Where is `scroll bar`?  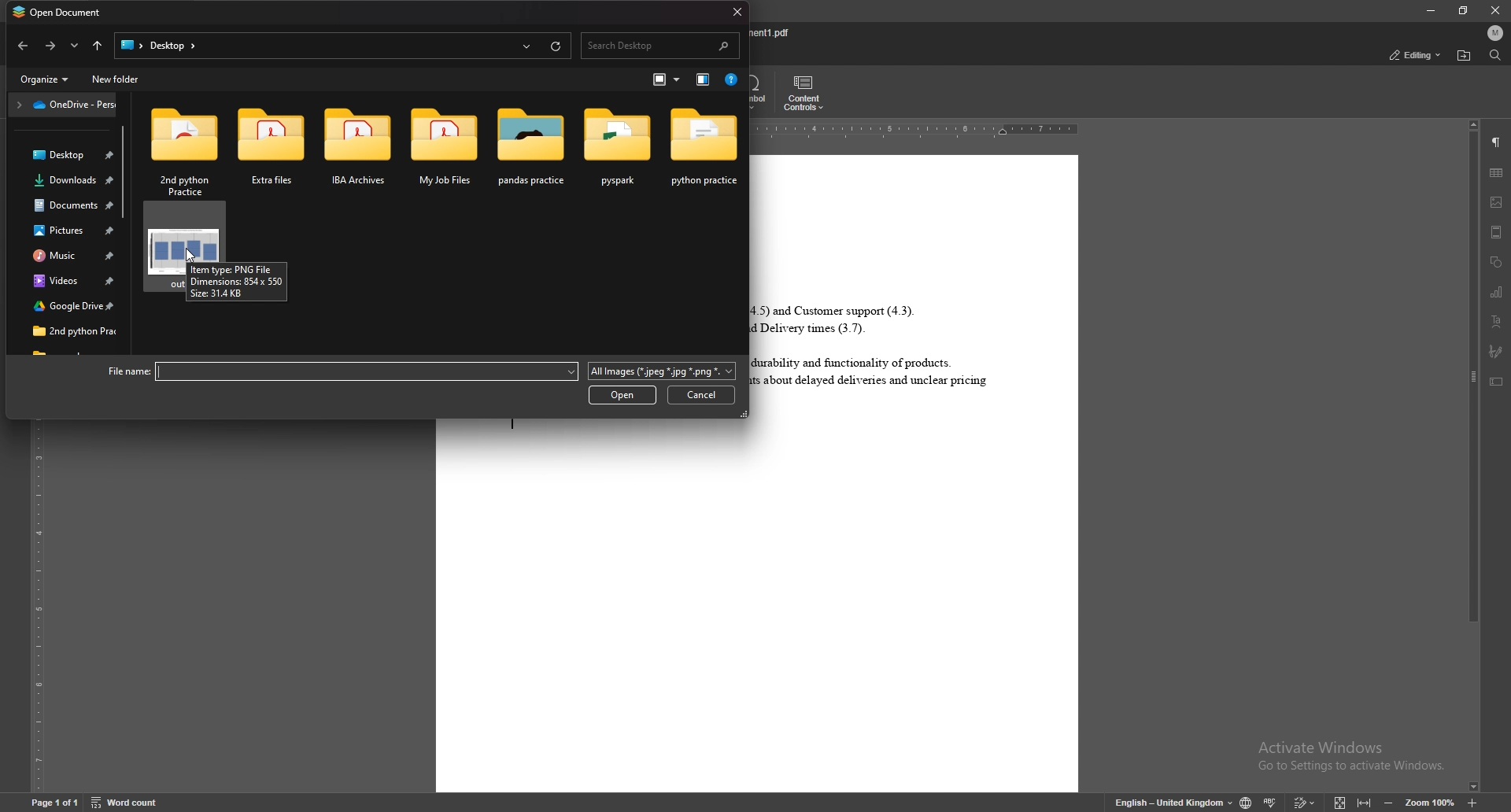
scroll bar is located at coordinates (1472, 456).